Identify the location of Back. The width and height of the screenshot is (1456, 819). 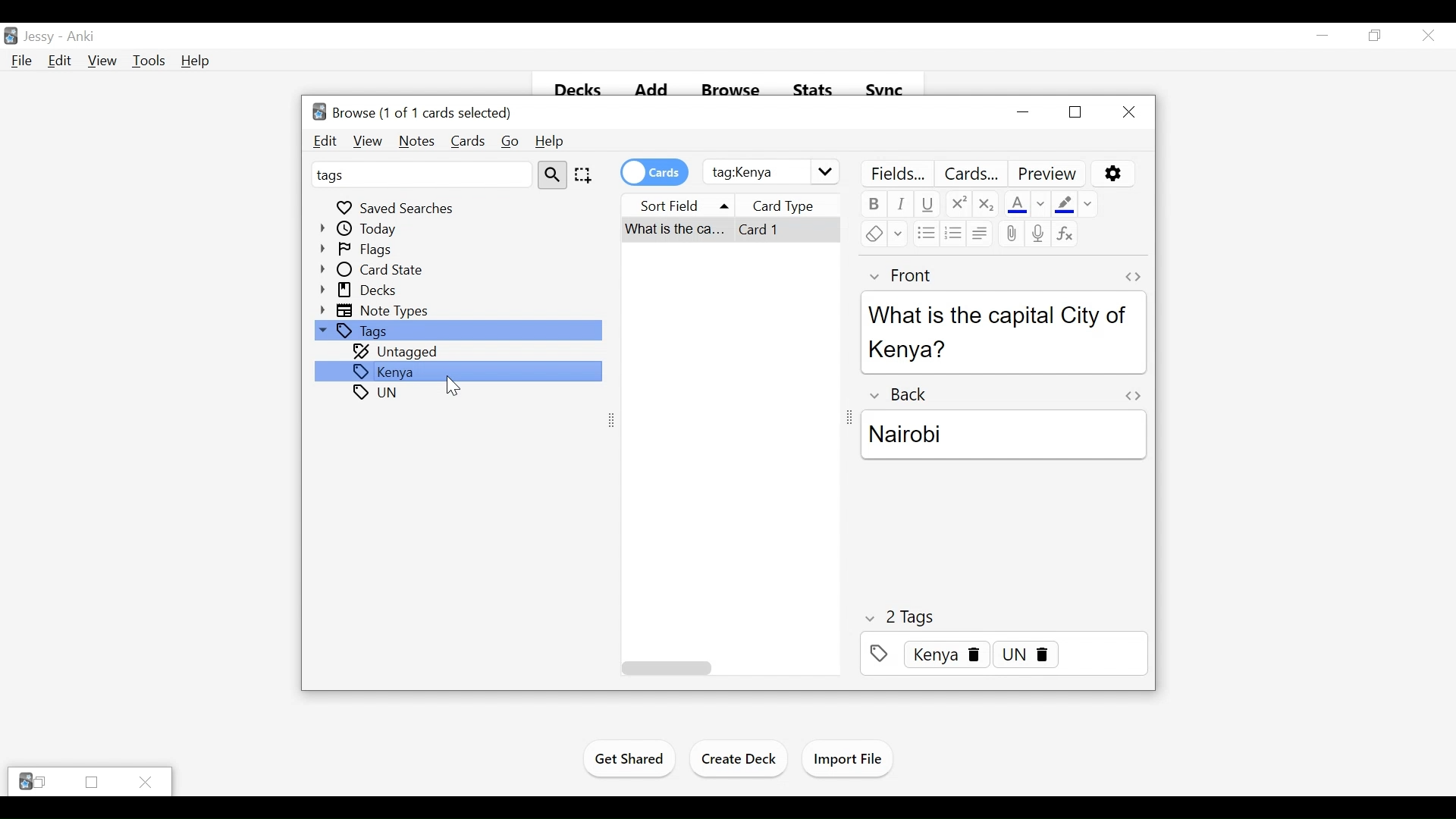
(904, 393).